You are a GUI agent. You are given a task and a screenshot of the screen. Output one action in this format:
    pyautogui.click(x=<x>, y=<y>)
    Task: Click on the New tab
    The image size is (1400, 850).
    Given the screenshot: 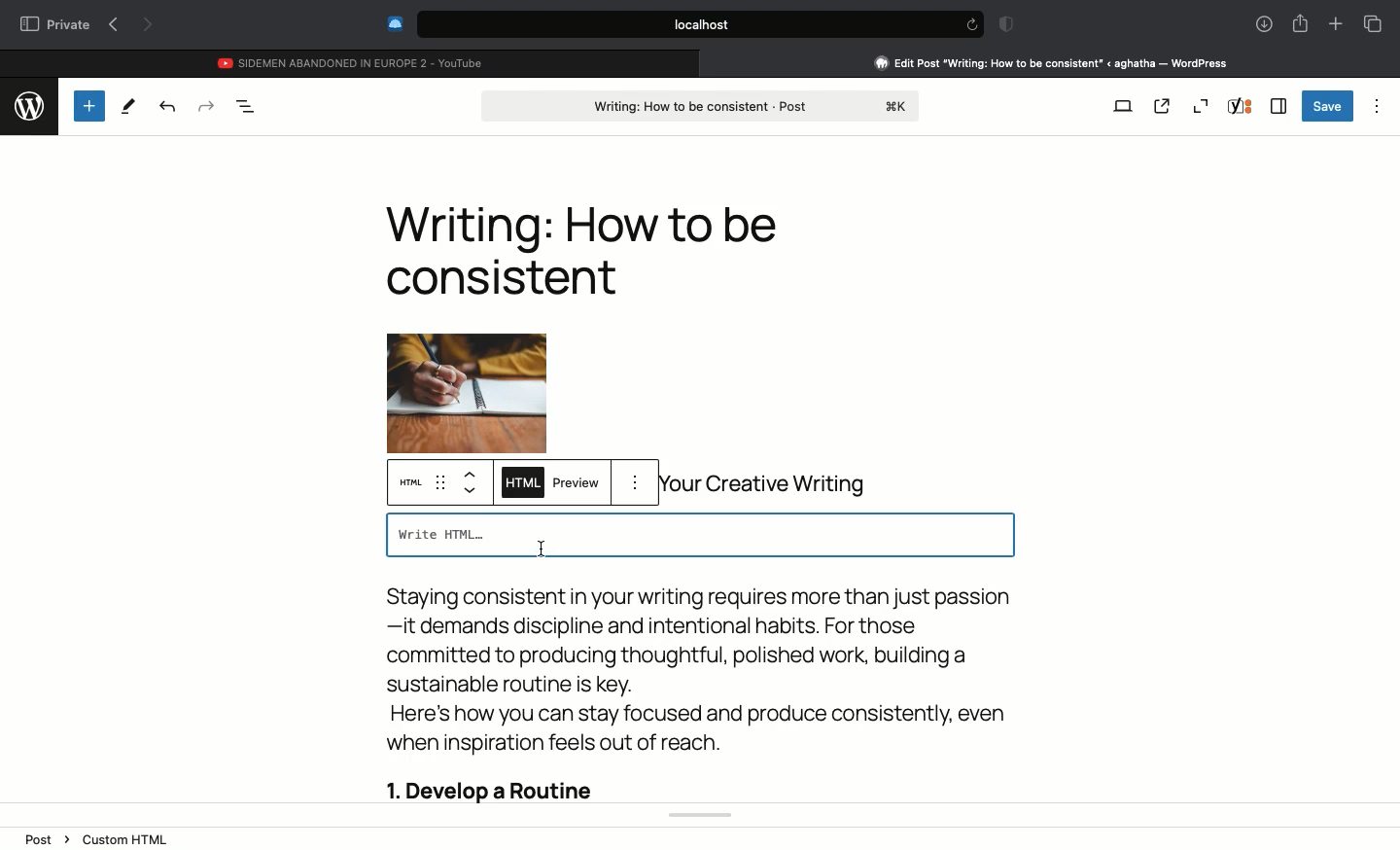 What is the action you would take?
    pyautogui.click(x=1336, y=24)
    